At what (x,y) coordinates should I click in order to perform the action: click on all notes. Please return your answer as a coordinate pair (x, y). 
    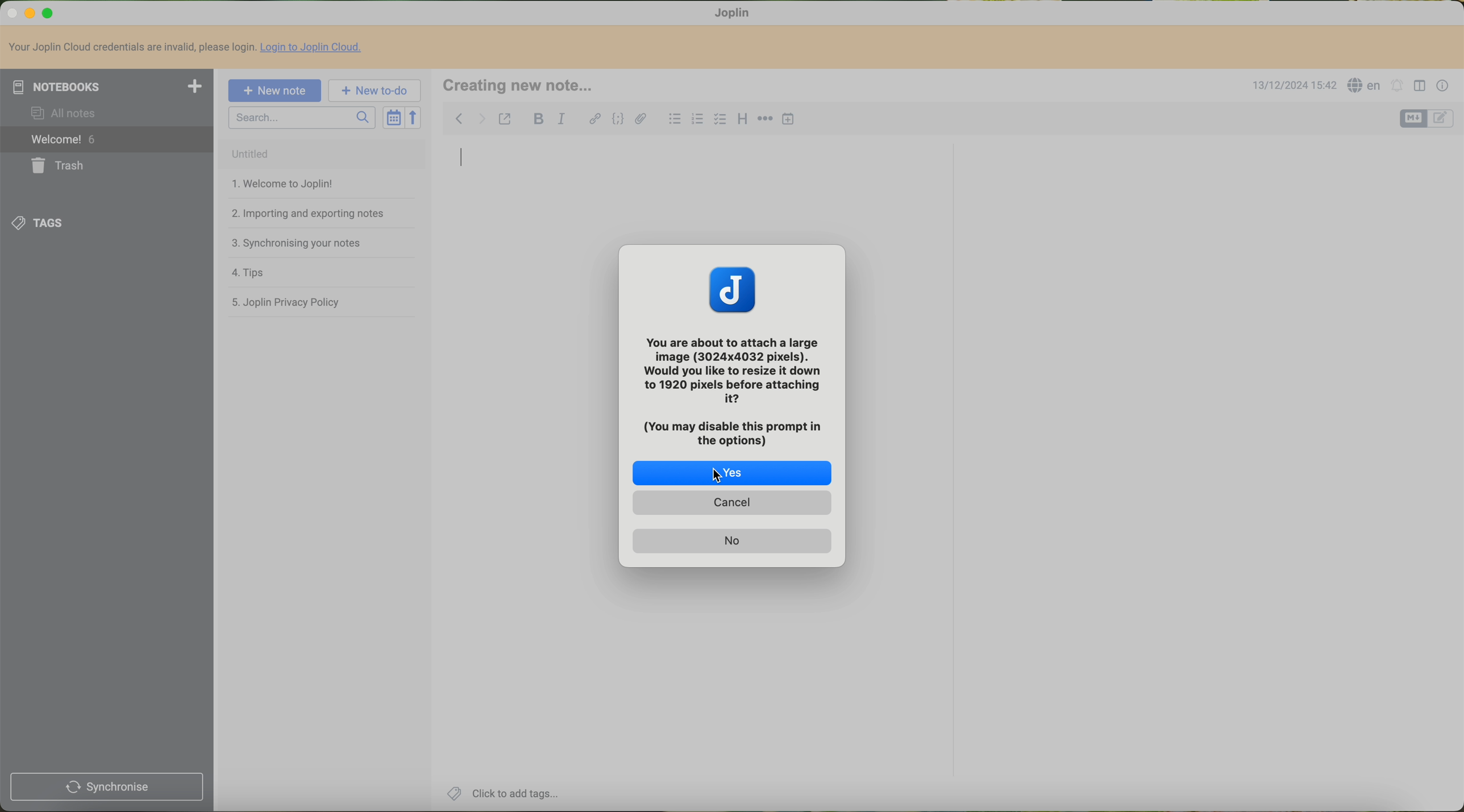
    Looking at the image, I should click on (66, 114).